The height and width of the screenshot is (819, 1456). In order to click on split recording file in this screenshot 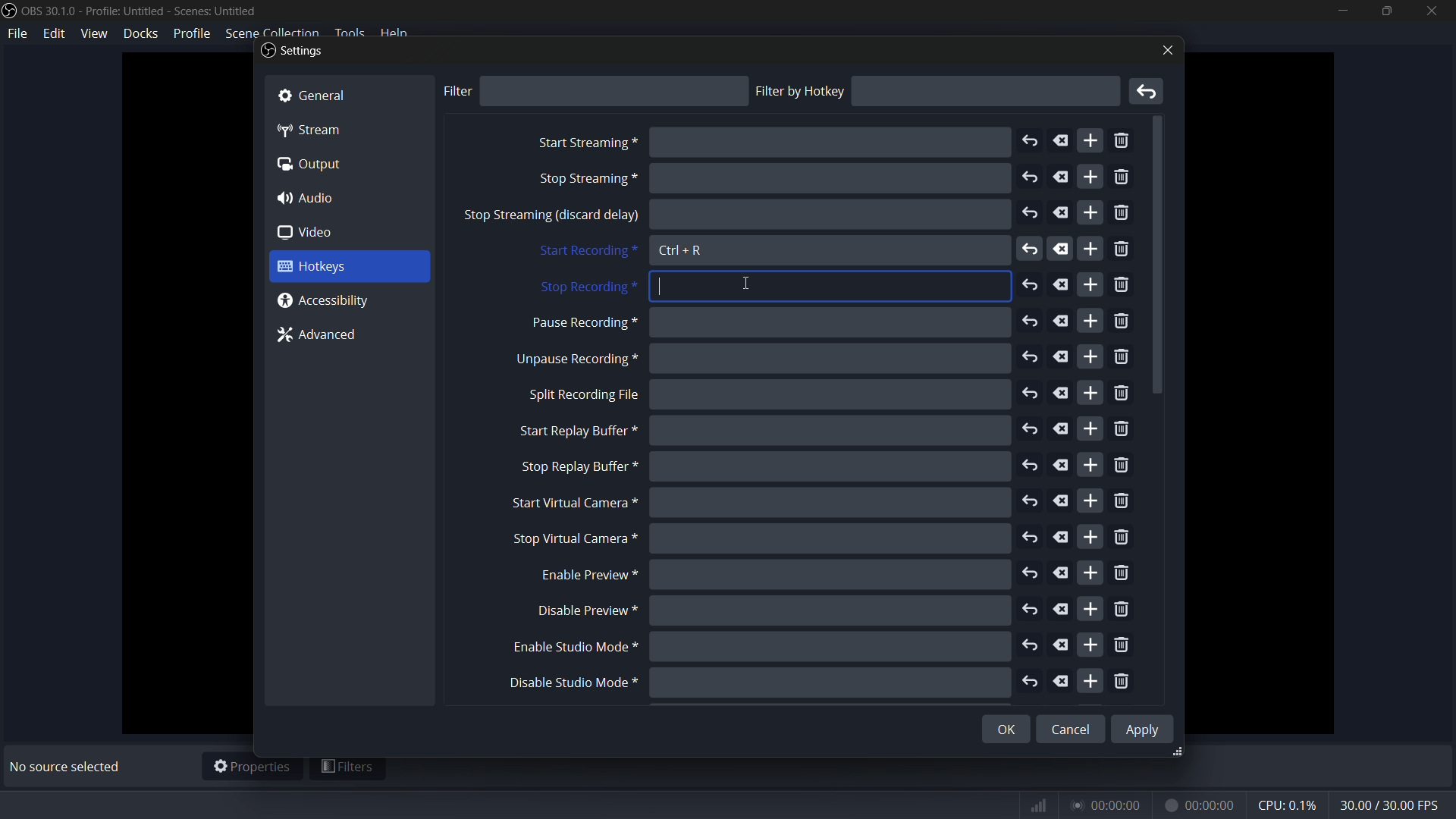, I will do `click(583, 395)`.